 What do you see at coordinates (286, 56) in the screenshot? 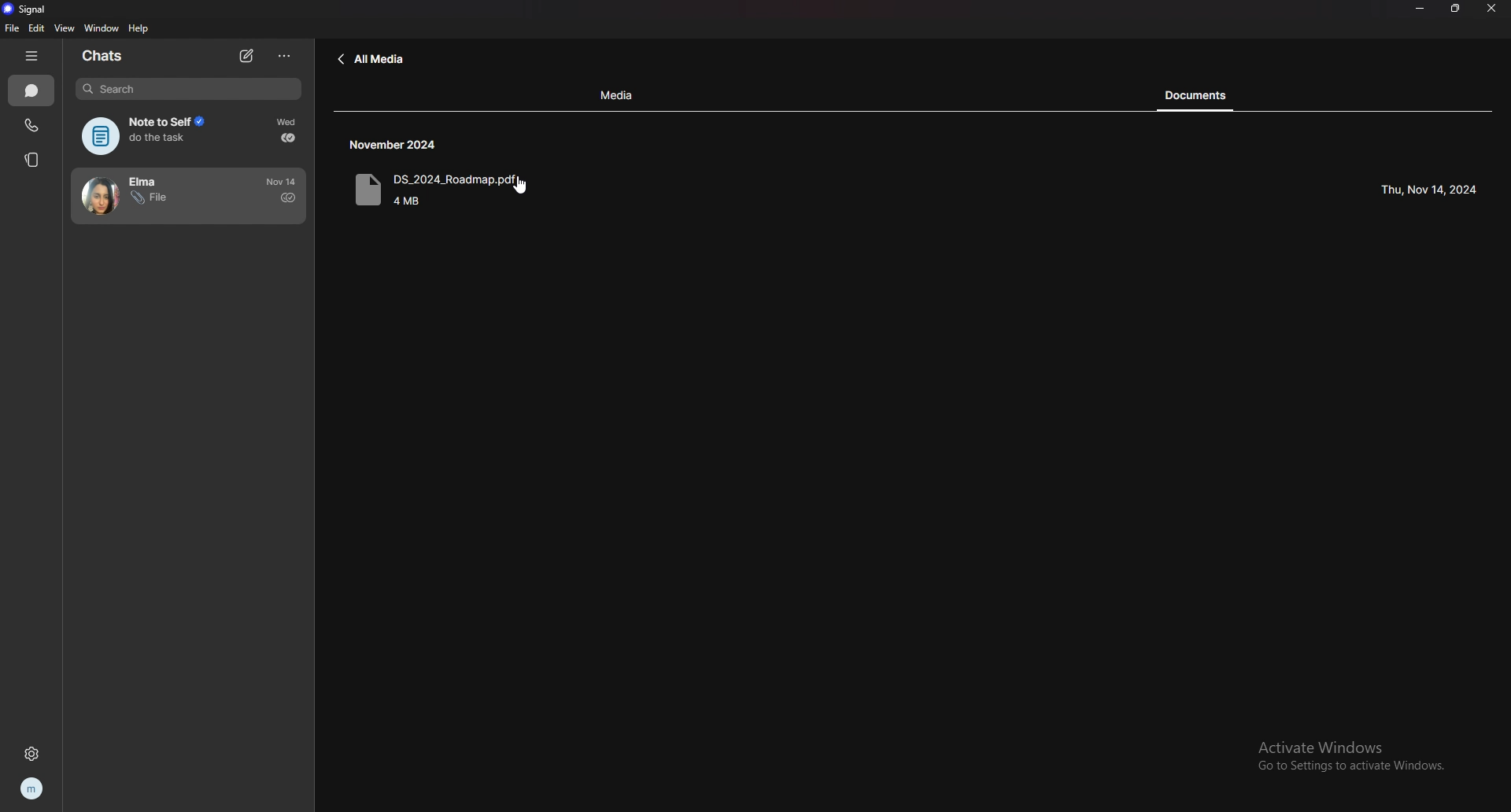
I see `options` at bounding box center [286, 56].